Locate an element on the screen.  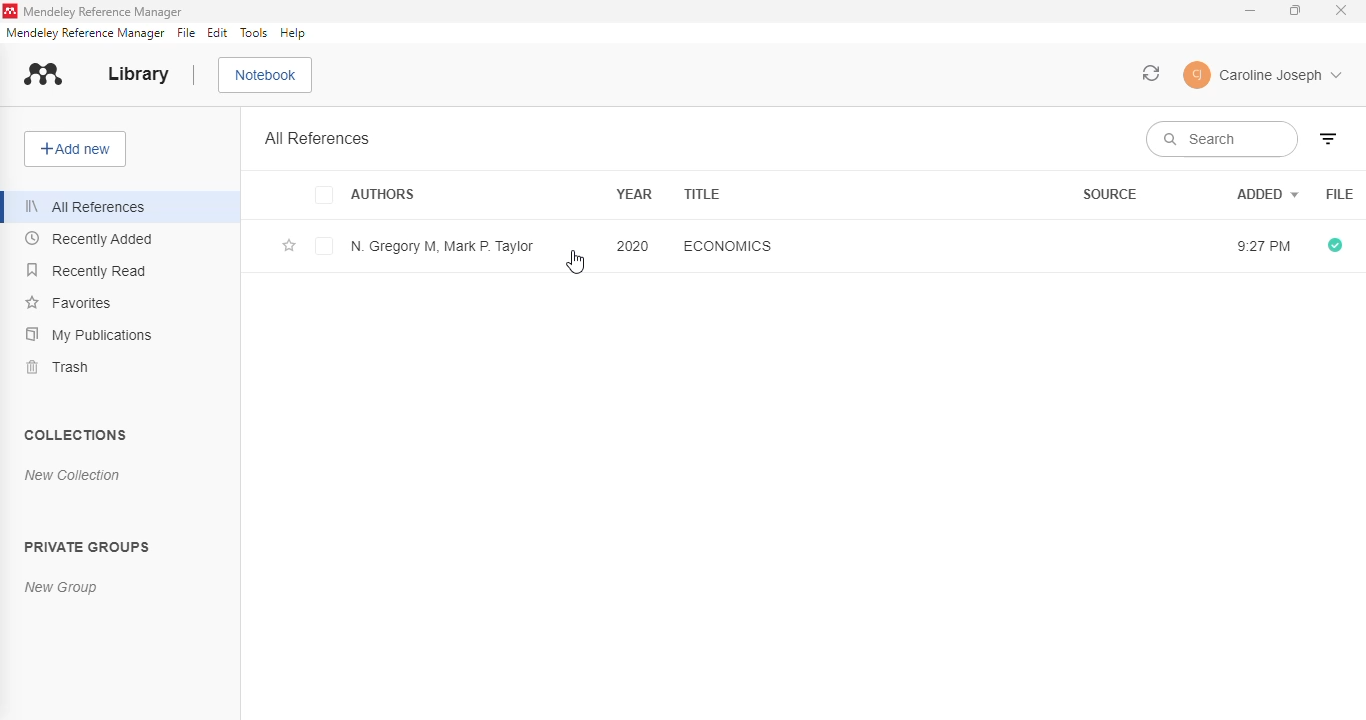
recently added is located at coordinates (88, 239).